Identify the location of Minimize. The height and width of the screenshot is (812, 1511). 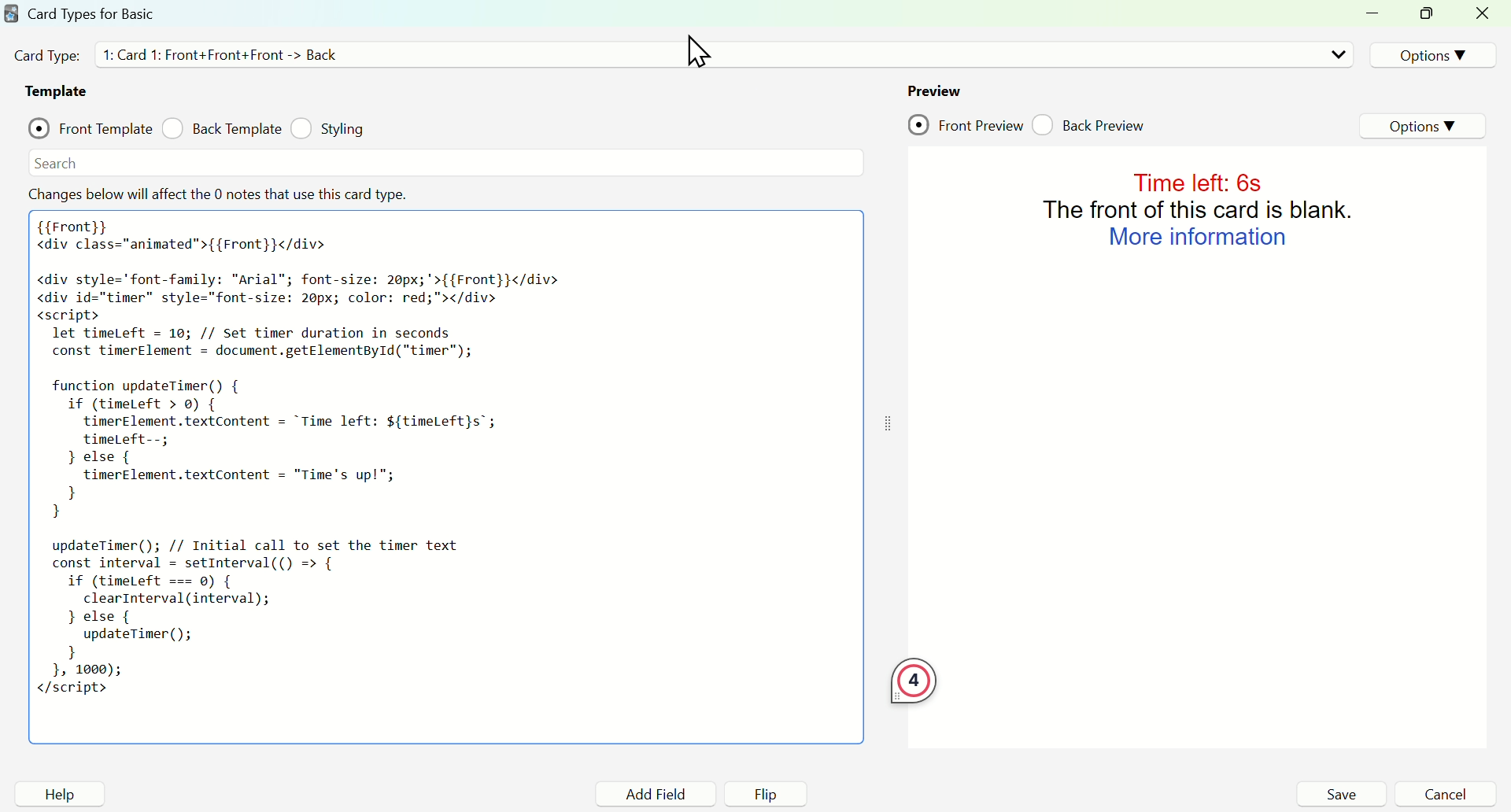
(1377, 14).